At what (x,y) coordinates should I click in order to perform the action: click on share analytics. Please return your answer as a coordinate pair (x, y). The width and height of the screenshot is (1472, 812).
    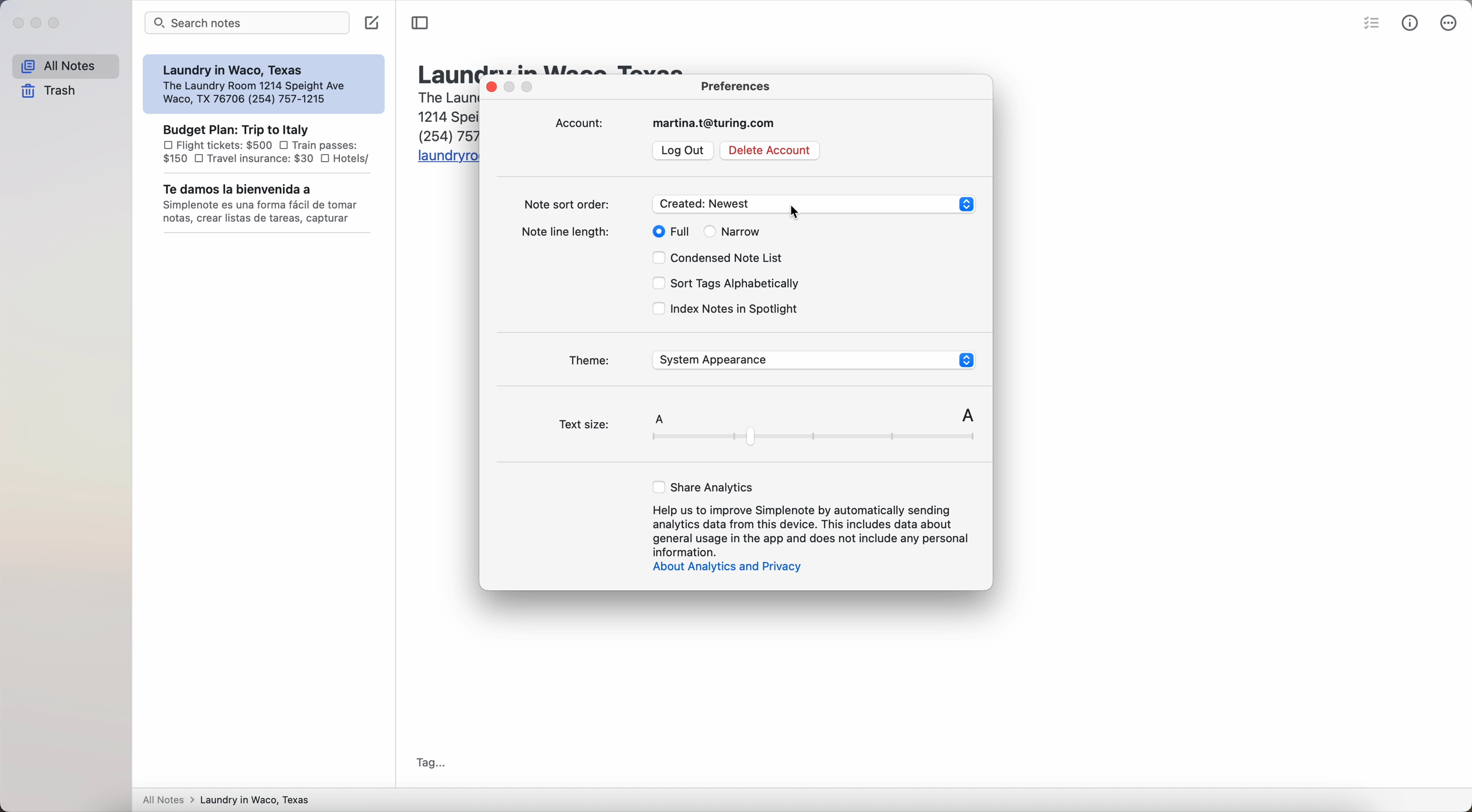
    Looking at the image, I should click on (705, 487).